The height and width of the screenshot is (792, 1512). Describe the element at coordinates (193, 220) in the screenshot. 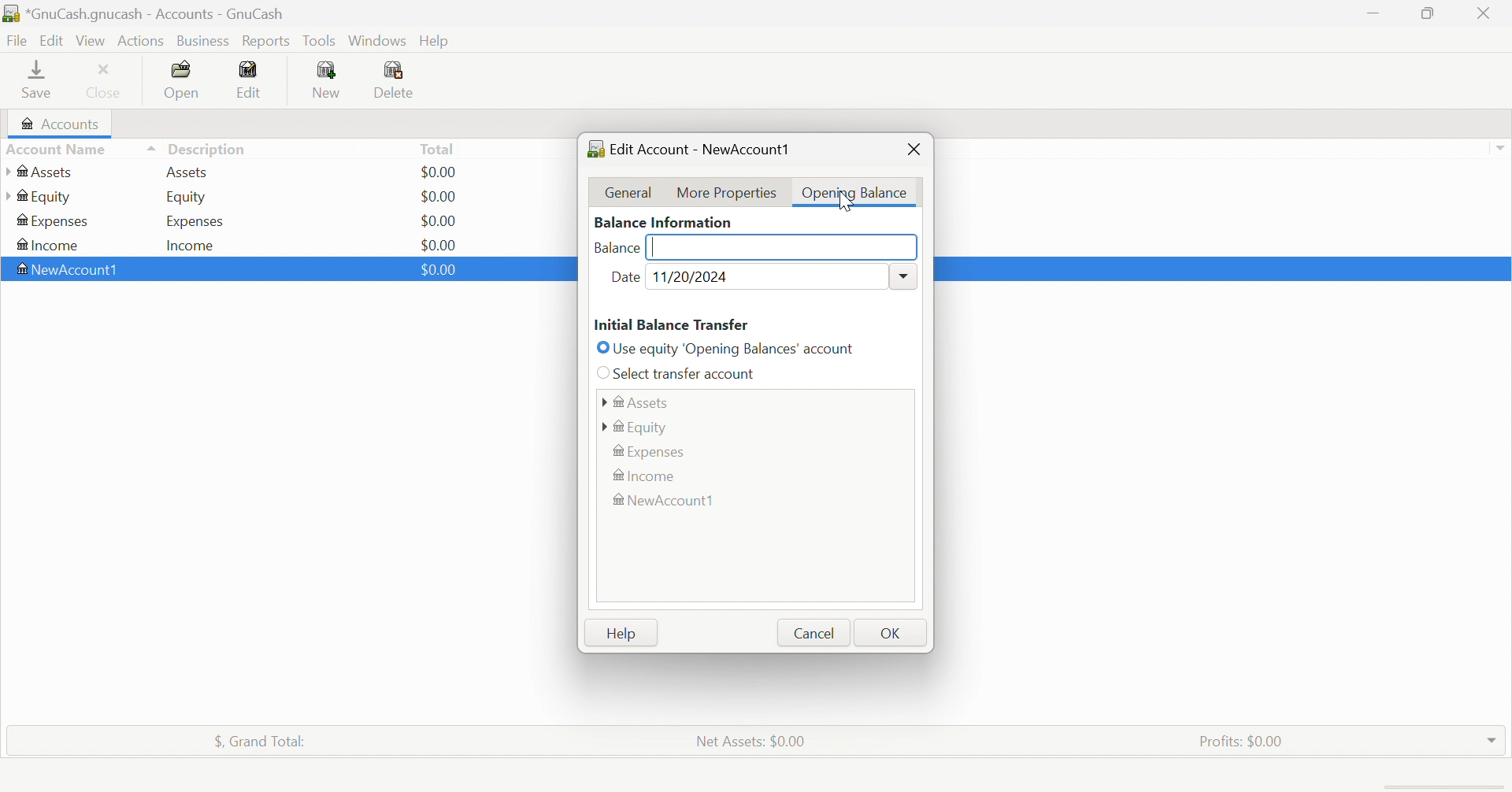

I see `Expenses` at that location.